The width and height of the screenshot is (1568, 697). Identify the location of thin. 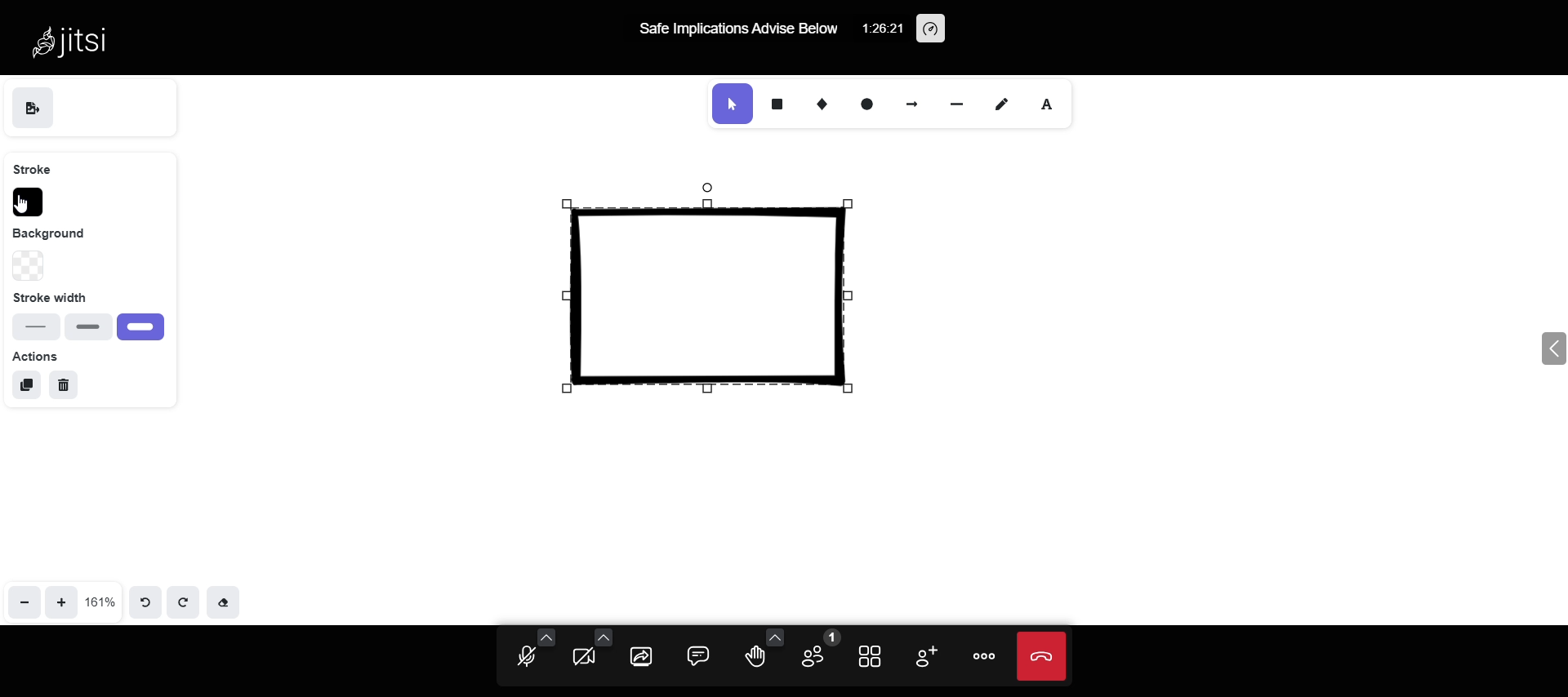
(36, 327).